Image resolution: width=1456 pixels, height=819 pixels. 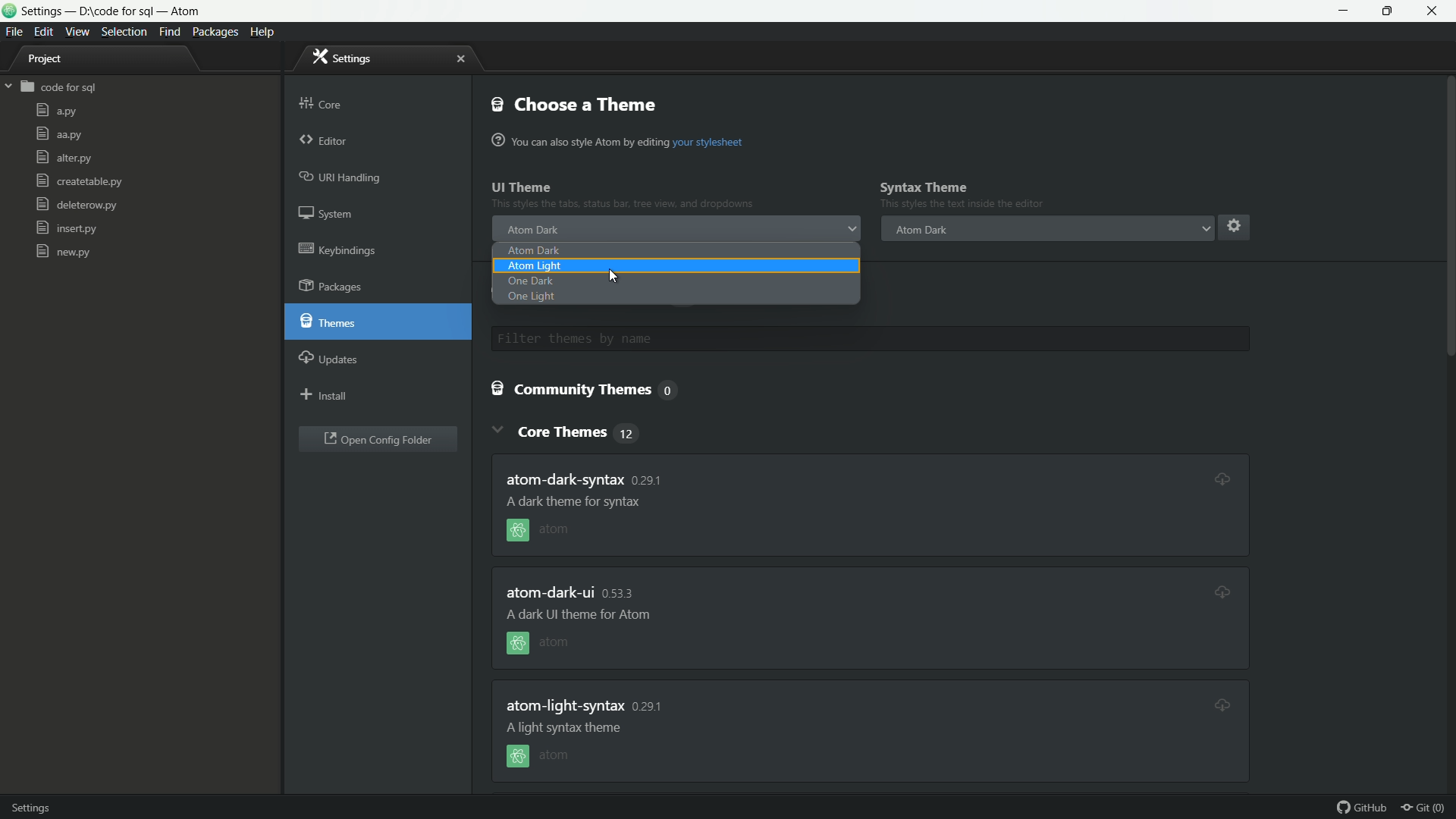 I want to click on ® You can also style Atom by editing your stylesheet, so click(x=620, y=142).